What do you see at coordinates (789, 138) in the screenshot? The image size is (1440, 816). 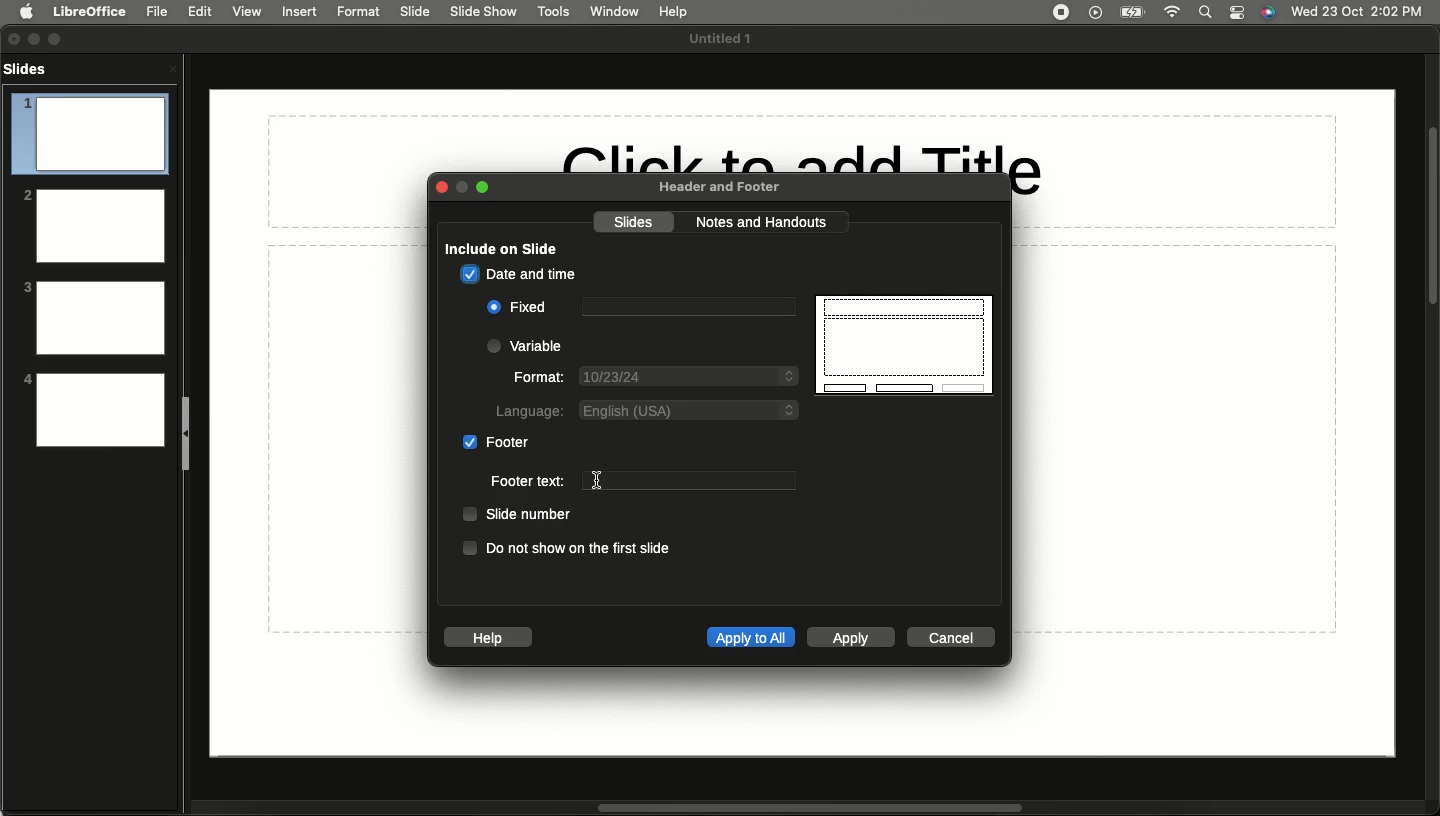 I see `Click to add Title` at bounding box center [789, 138].